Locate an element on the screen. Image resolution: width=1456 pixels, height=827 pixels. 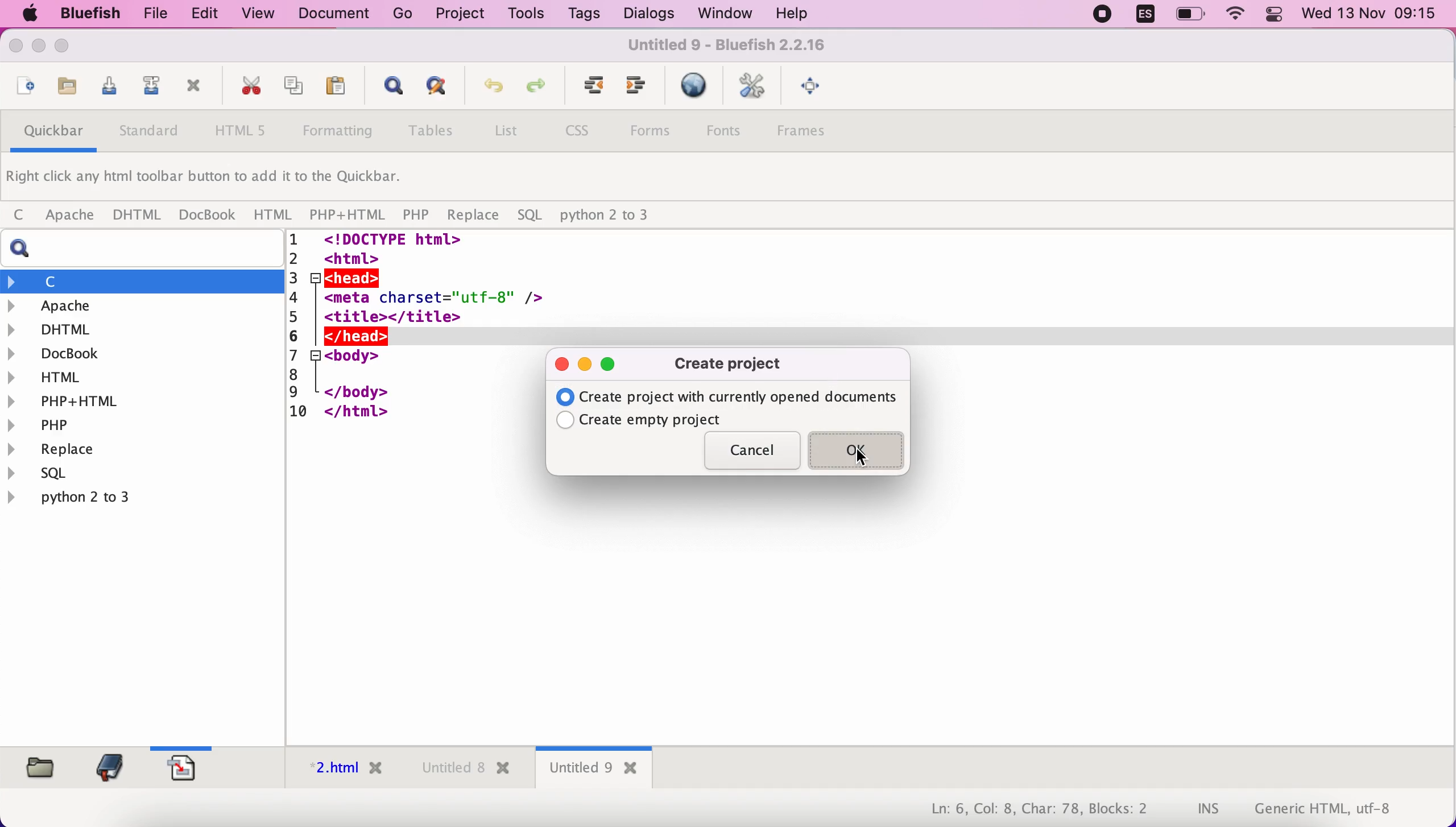
CURSOR is located at coordinates (859, 456).